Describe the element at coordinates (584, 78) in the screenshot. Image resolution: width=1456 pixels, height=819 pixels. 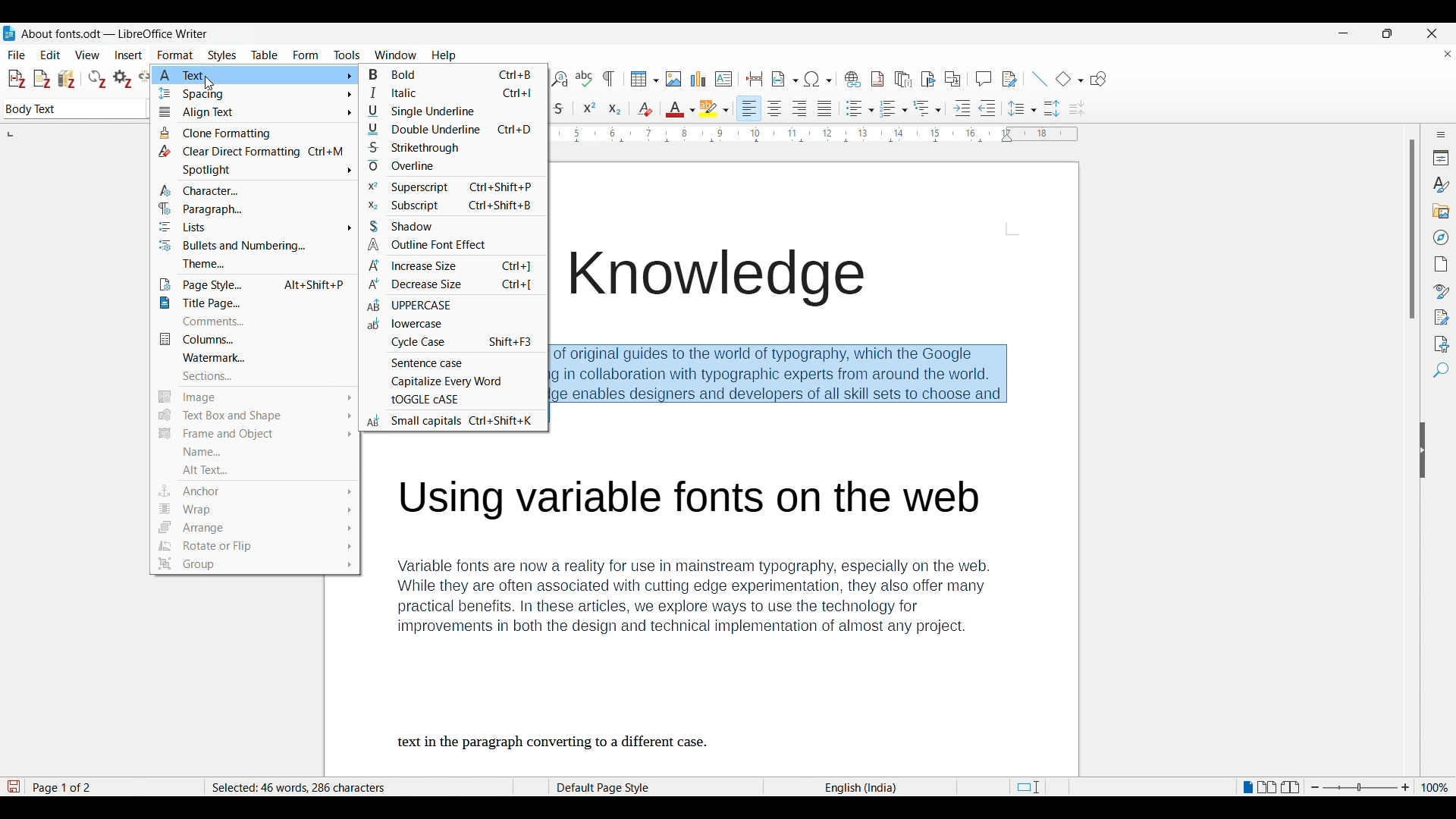
I see `Spell check` at that location.